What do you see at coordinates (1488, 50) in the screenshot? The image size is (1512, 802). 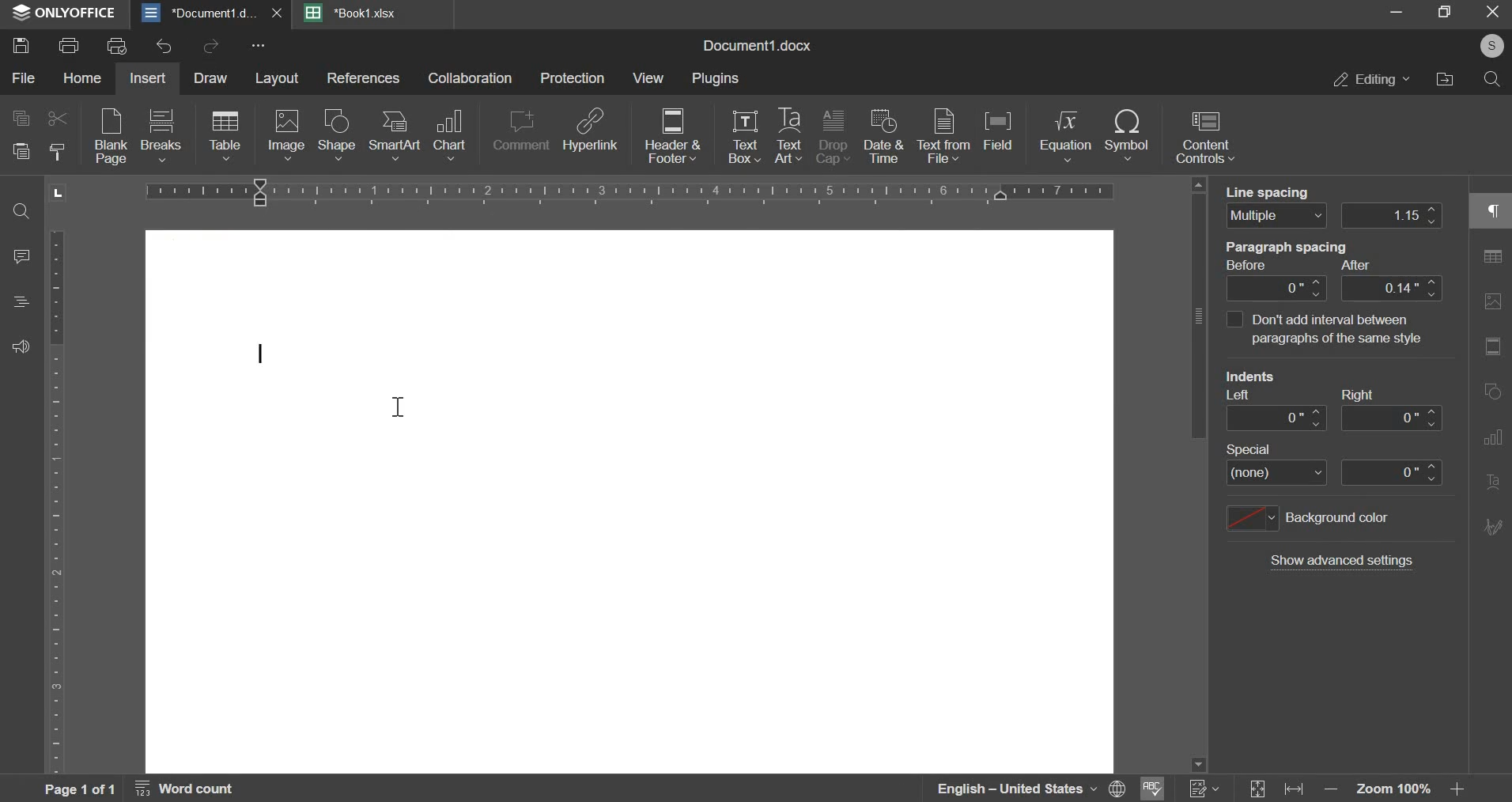 I see `account` at bounding box center [1488, 50].